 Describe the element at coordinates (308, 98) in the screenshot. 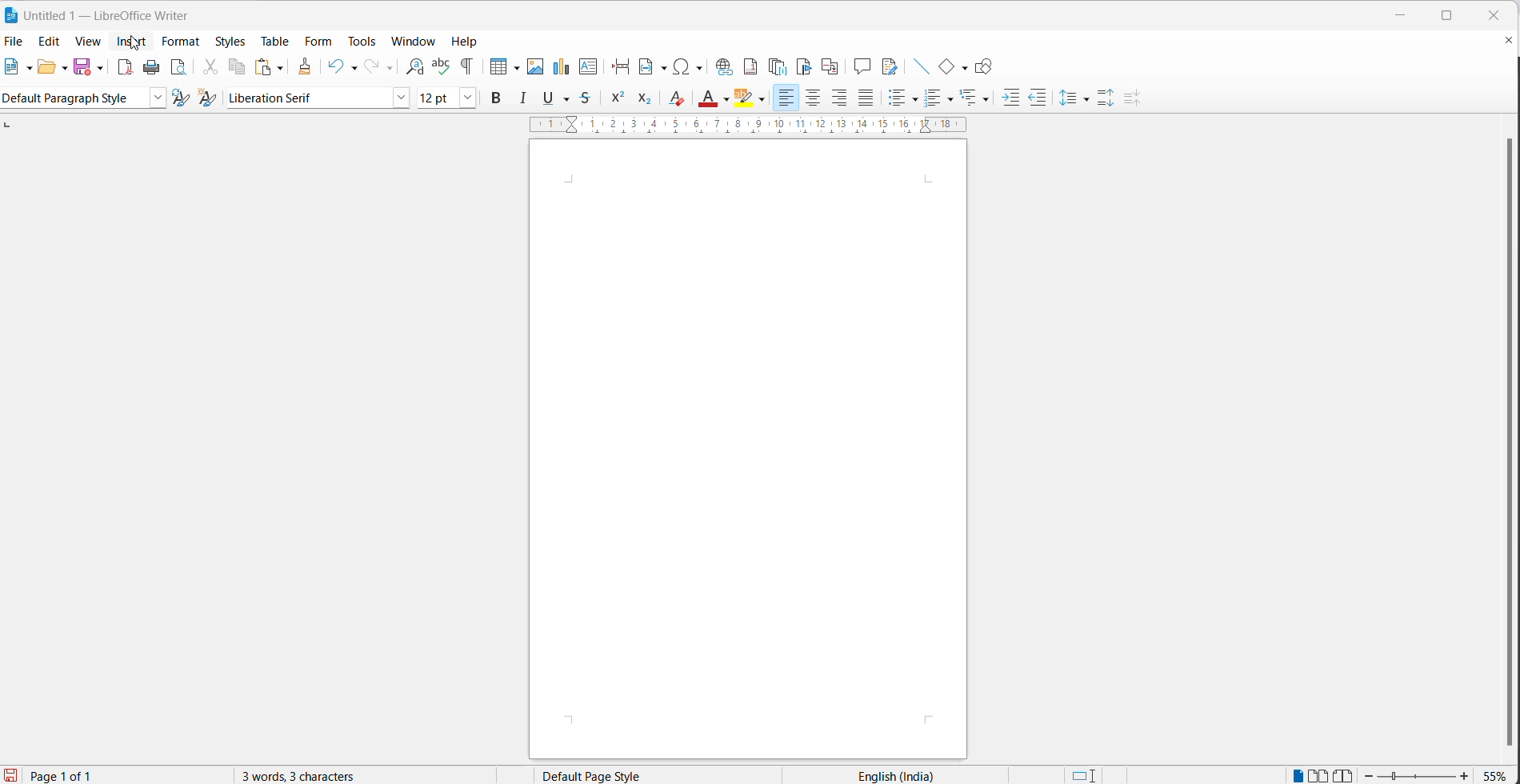

I see `font name` at that location.